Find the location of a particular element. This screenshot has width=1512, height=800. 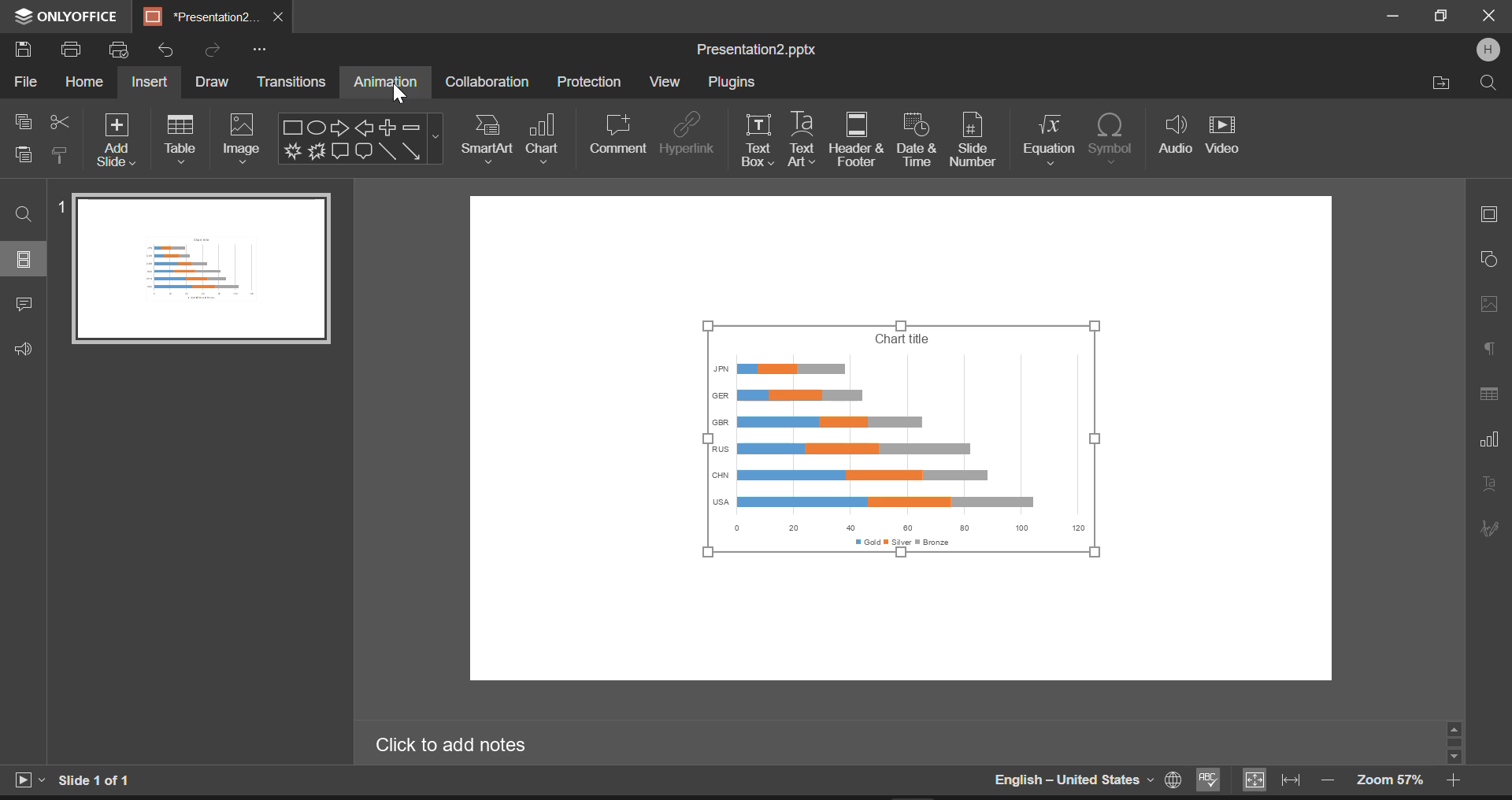

Open file Location is located at coordinates (1442, 83).